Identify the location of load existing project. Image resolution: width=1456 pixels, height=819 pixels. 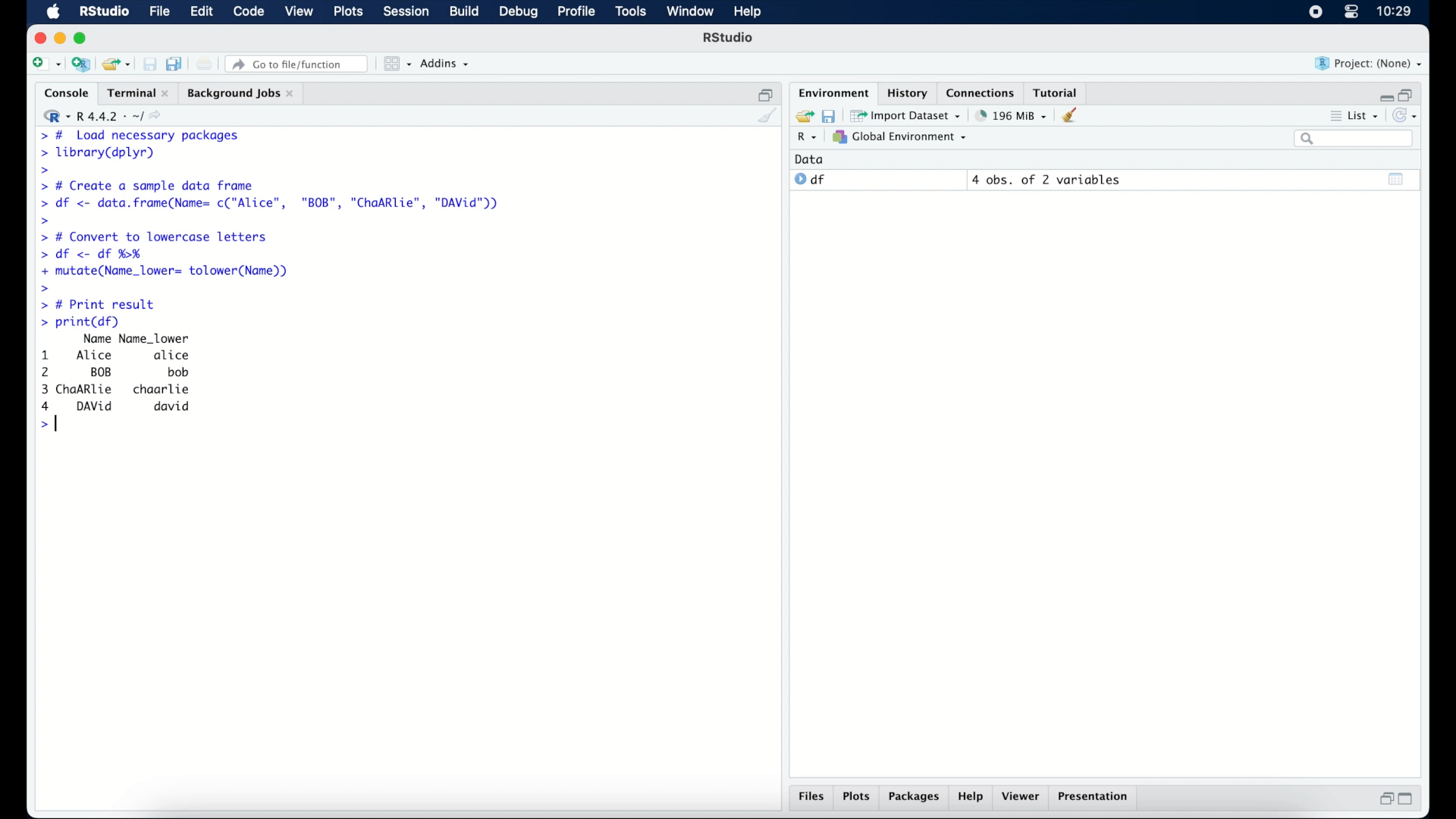
(115, 64).